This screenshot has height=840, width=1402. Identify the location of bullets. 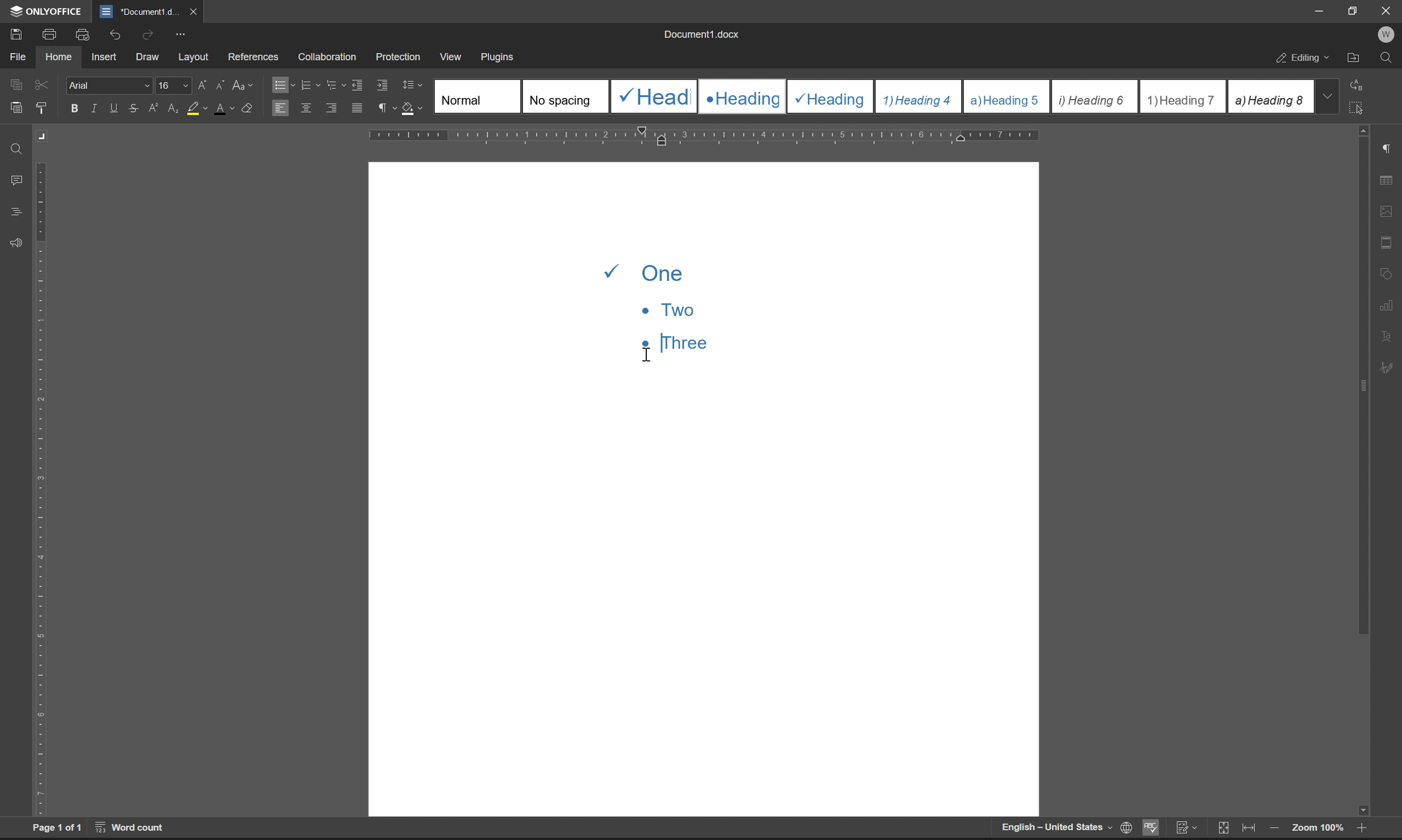
(282, 84).